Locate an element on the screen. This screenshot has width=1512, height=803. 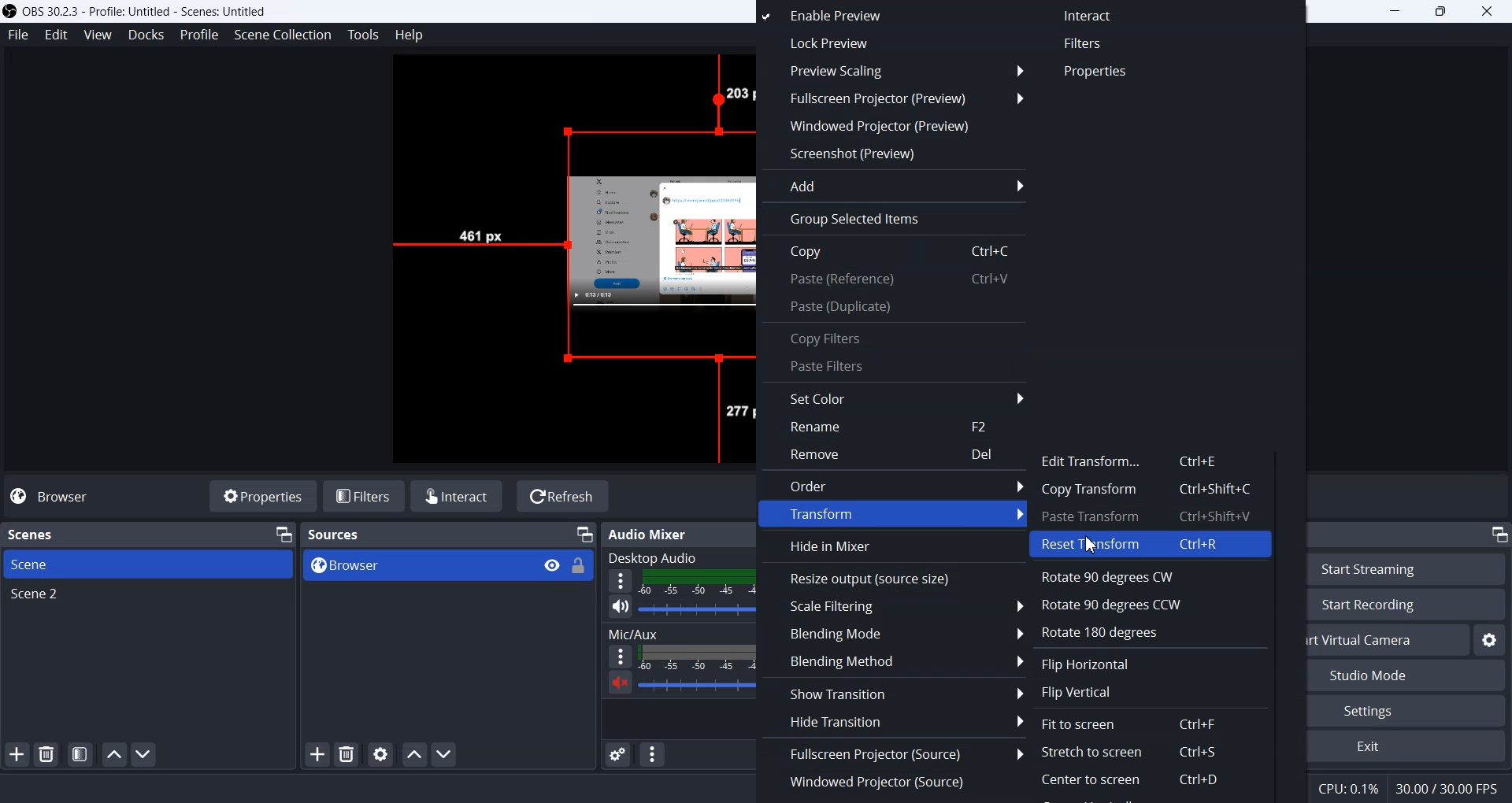
Exit is located at coordinates (1403, 746).